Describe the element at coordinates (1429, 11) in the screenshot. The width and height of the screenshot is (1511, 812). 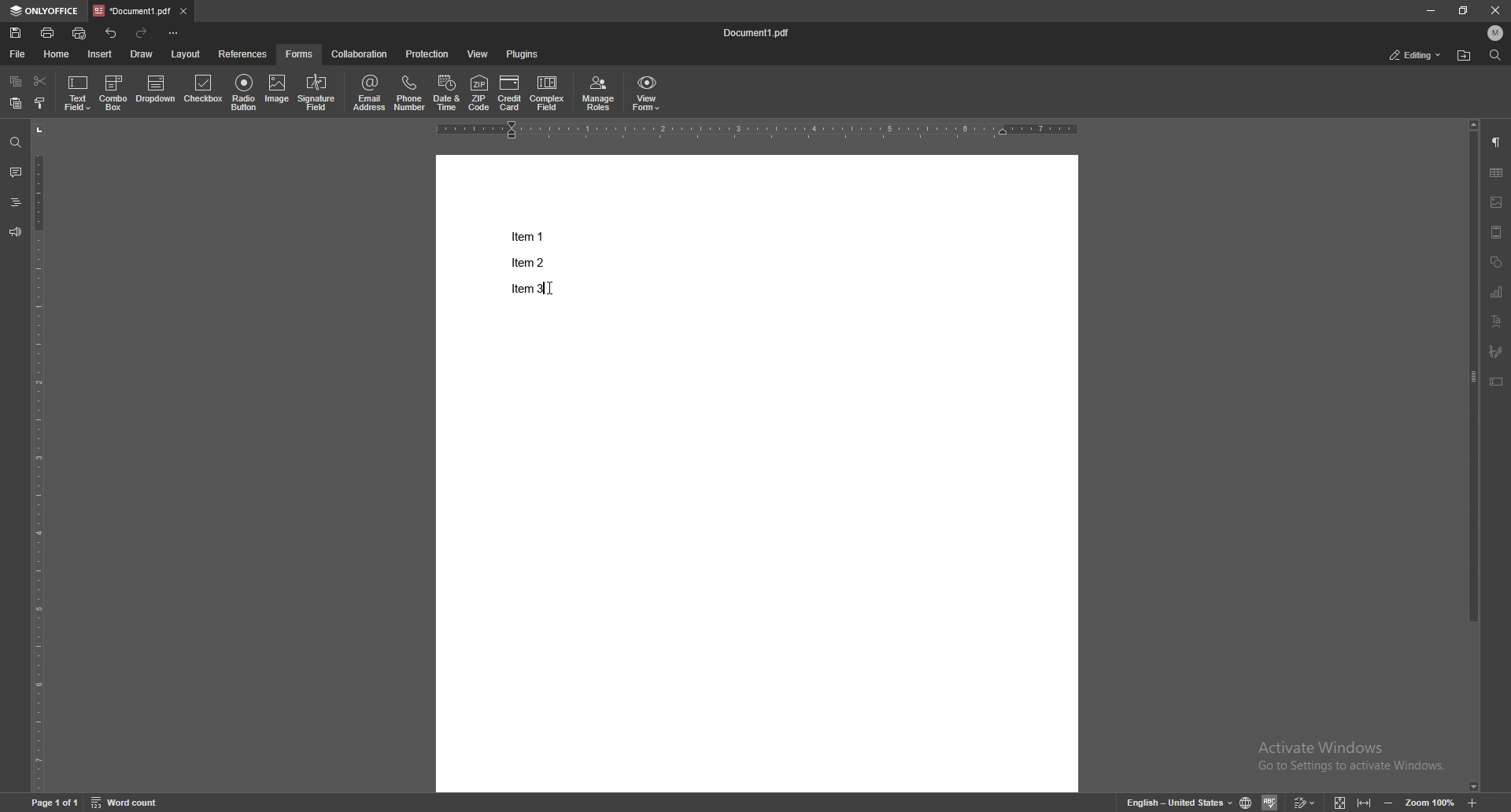
I see `minimize` at that location.